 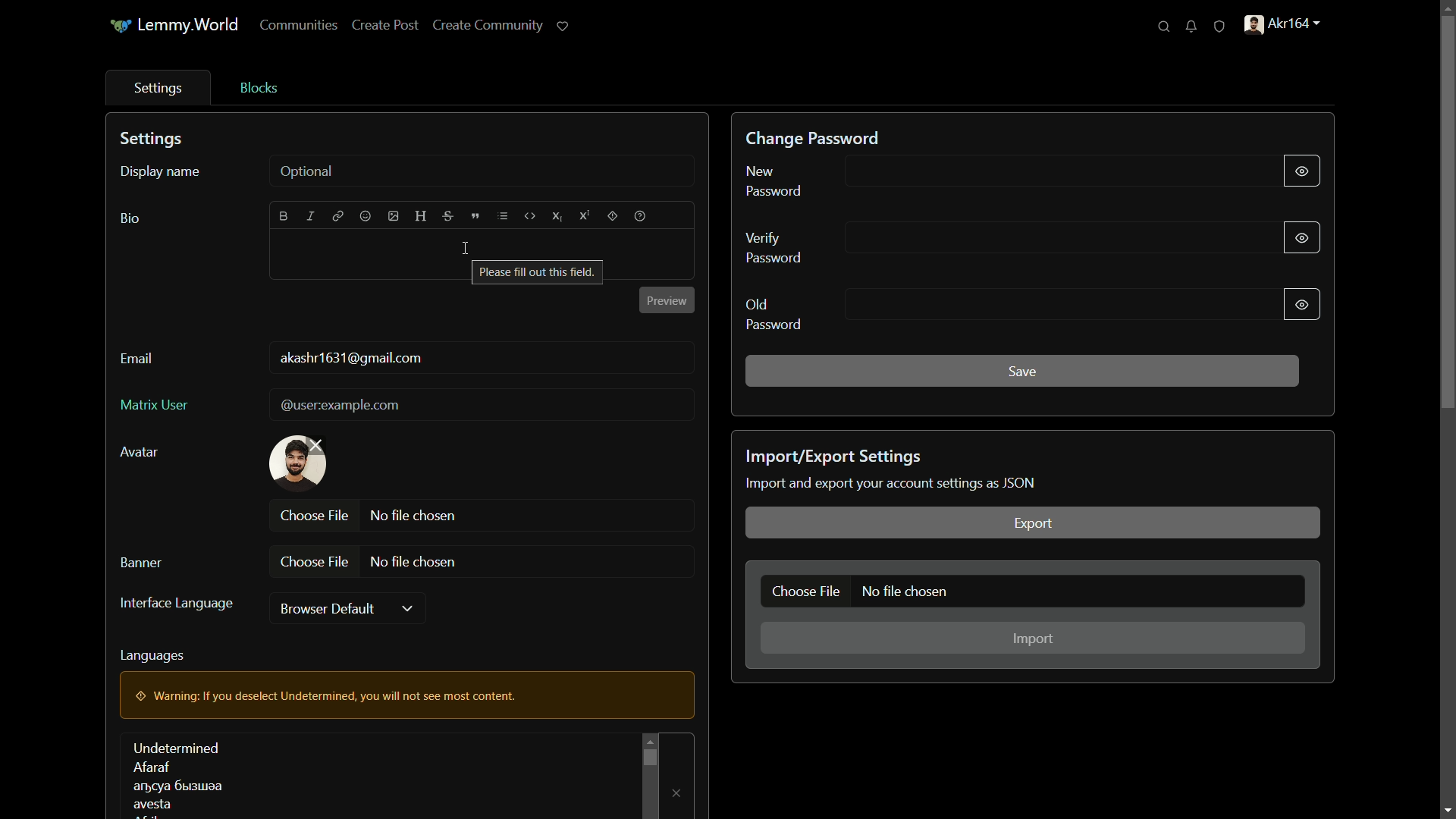 What do you see at coordinates (1302, 170) in the screenshot?
I see `show/hide` at bounding box center [1302, 170].